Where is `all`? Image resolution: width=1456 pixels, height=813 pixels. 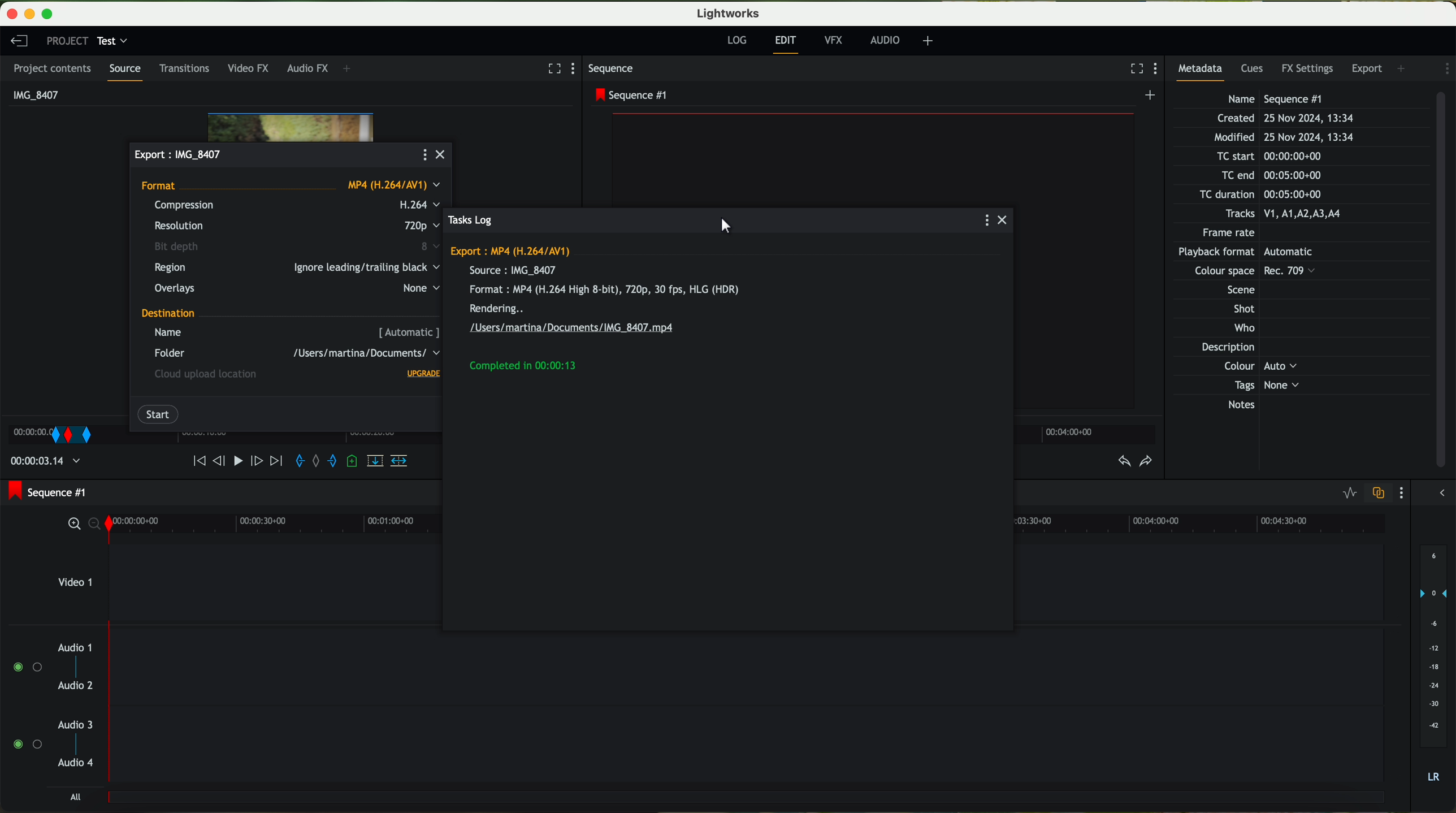 all is located at coordinates (77, 798).